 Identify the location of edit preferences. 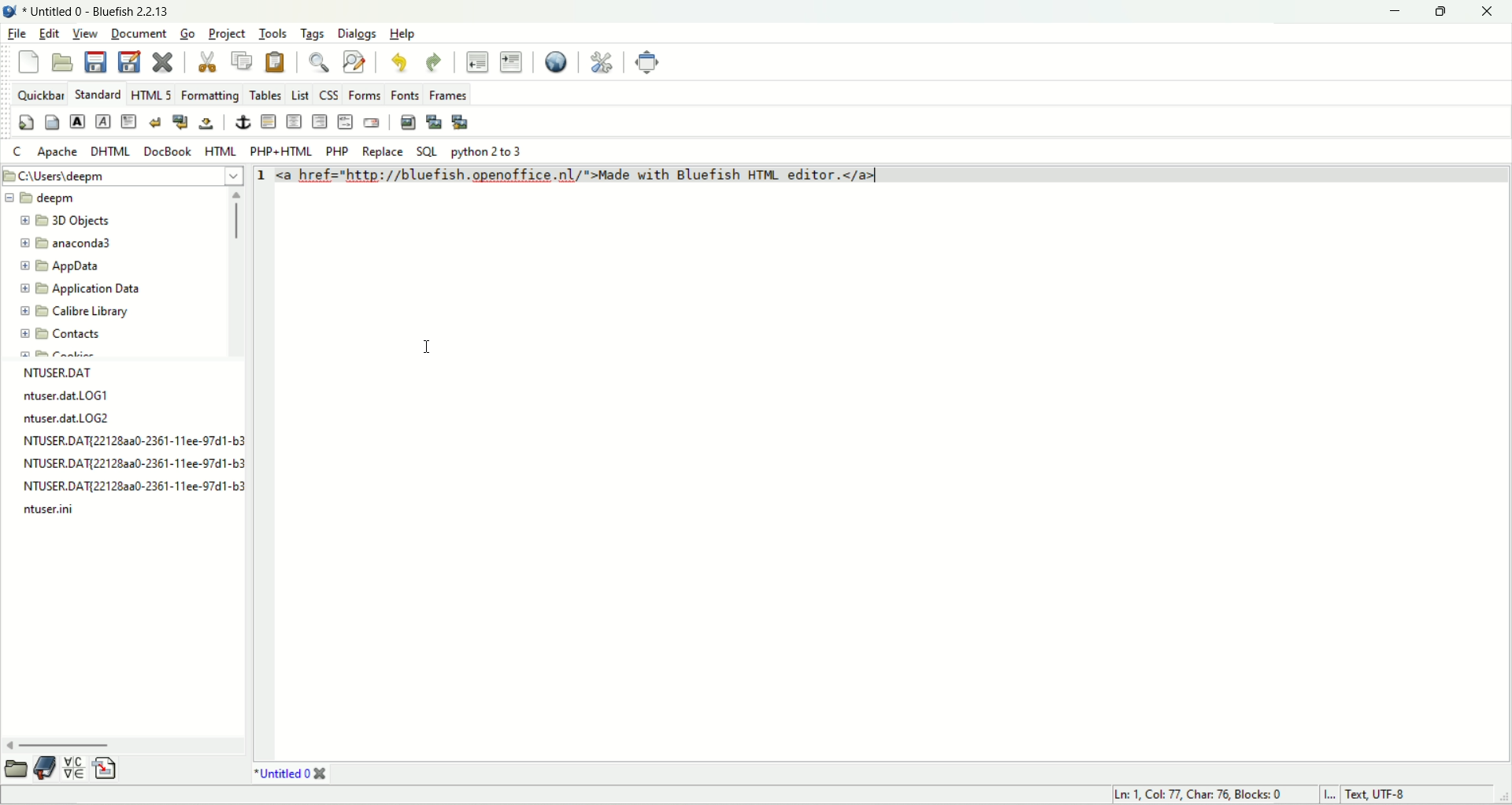
(603, 62).